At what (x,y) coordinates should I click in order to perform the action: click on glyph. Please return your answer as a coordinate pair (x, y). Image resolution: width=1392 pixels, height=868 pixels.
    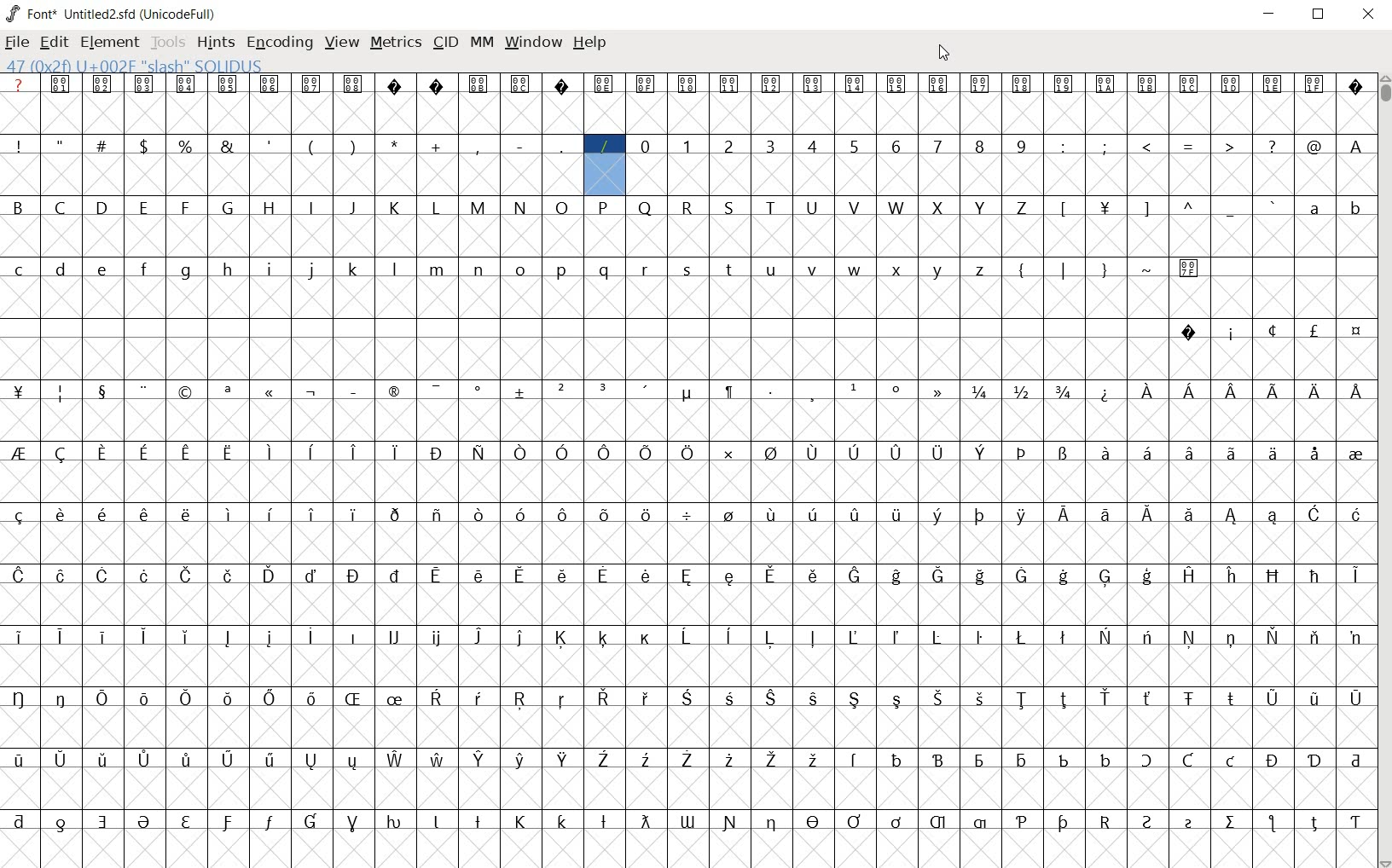
    Looking at the image, I should click on (686, 697).